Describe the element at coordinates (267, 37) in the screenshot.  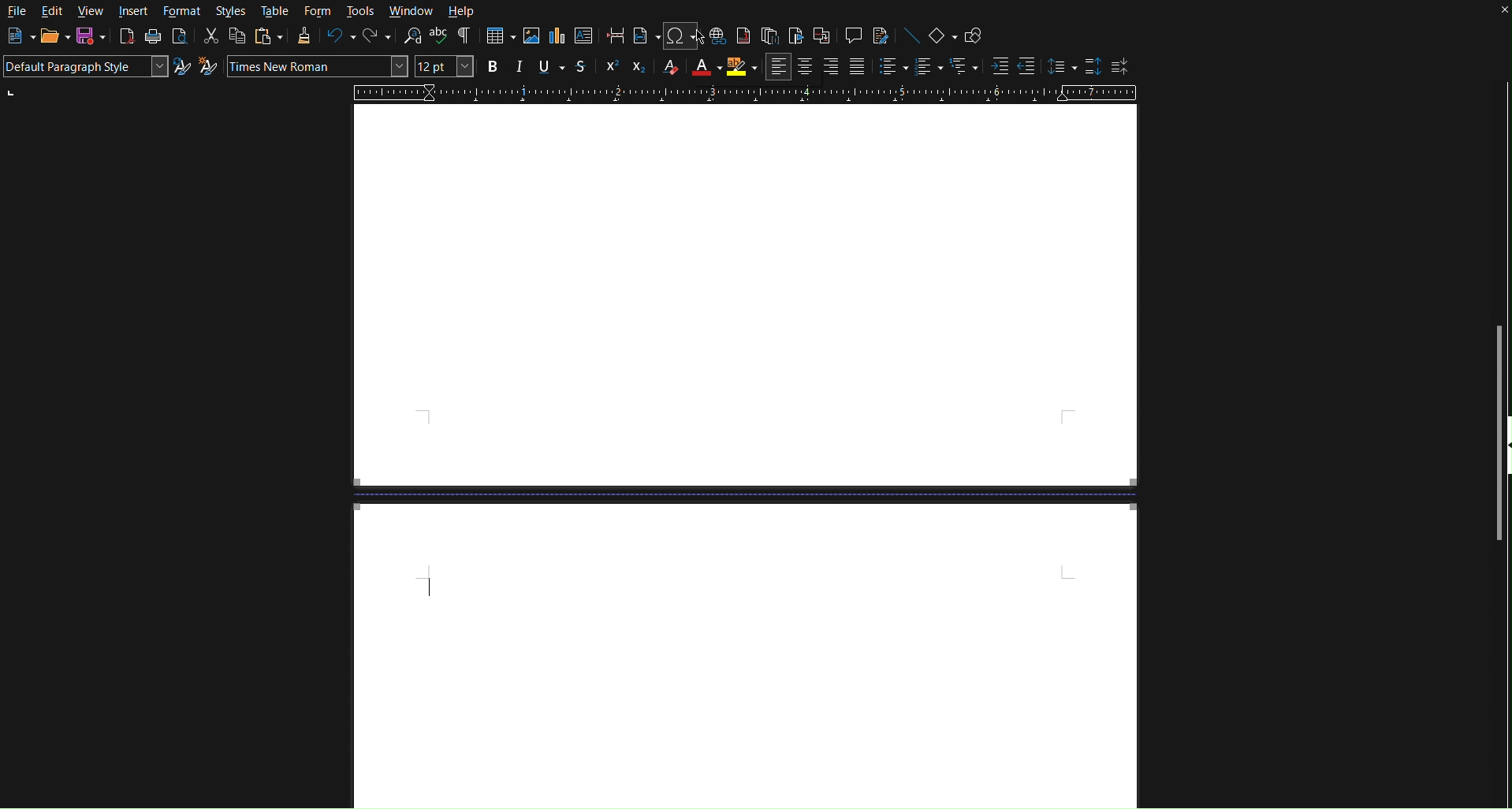
I see `Paste` at that location.